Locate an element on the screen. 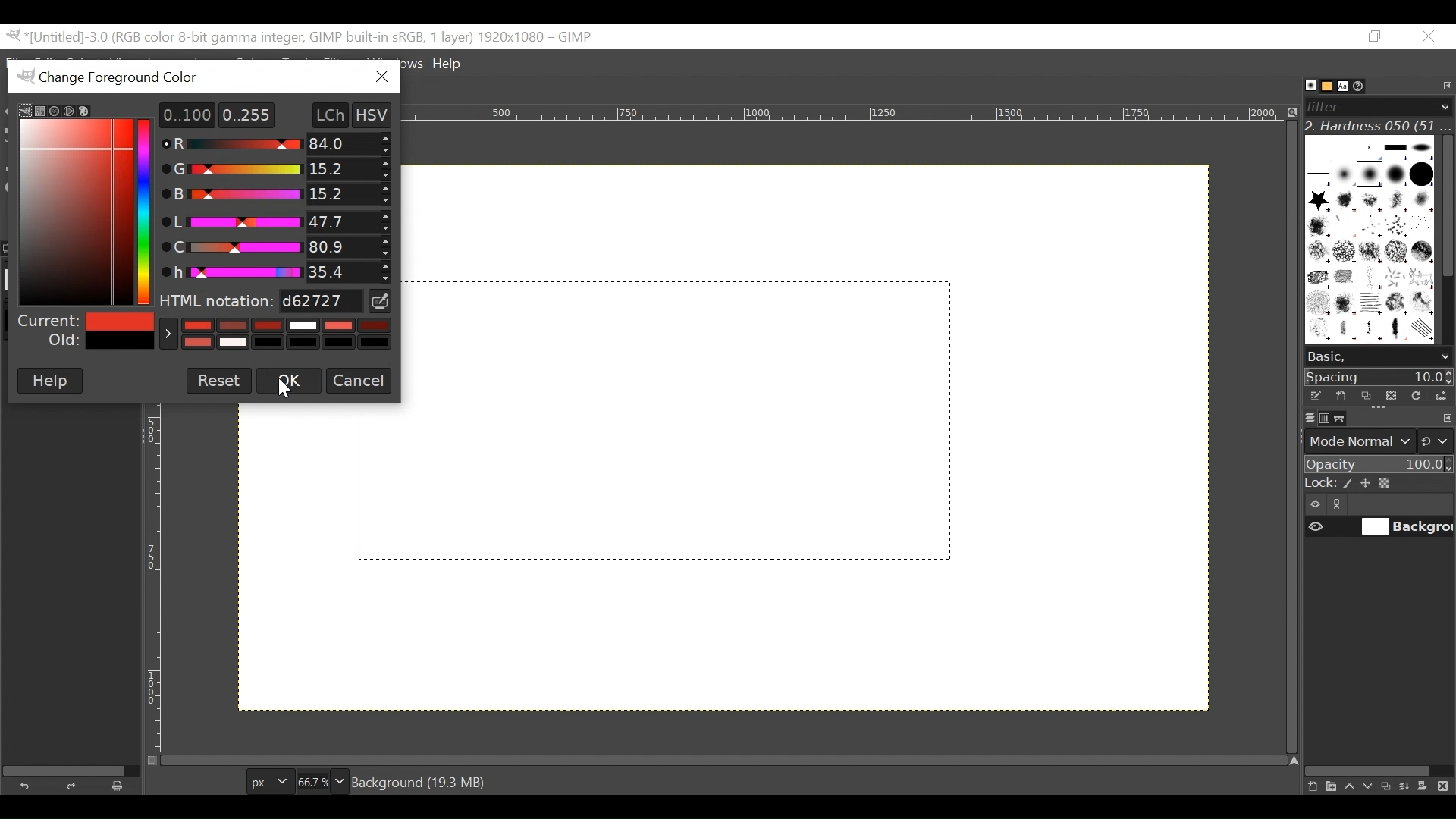 Image resolution: width=1456 pixels, height=819 pixels. Create a new layer with last used values is located at coordinates (1310, 787).